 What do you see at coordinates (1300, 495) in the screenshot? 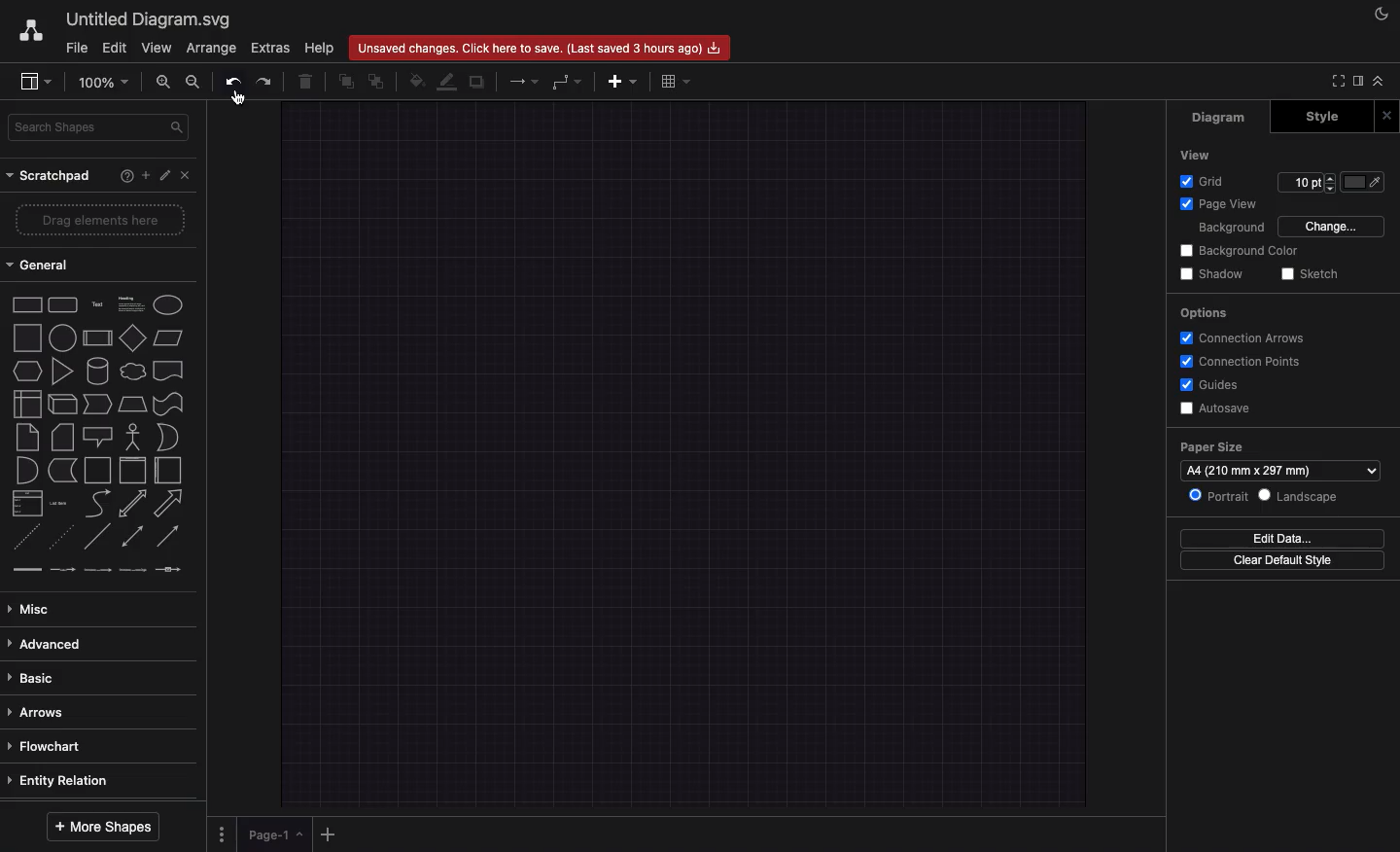
I see `Landscape ` at bounding box center [1300, 495].